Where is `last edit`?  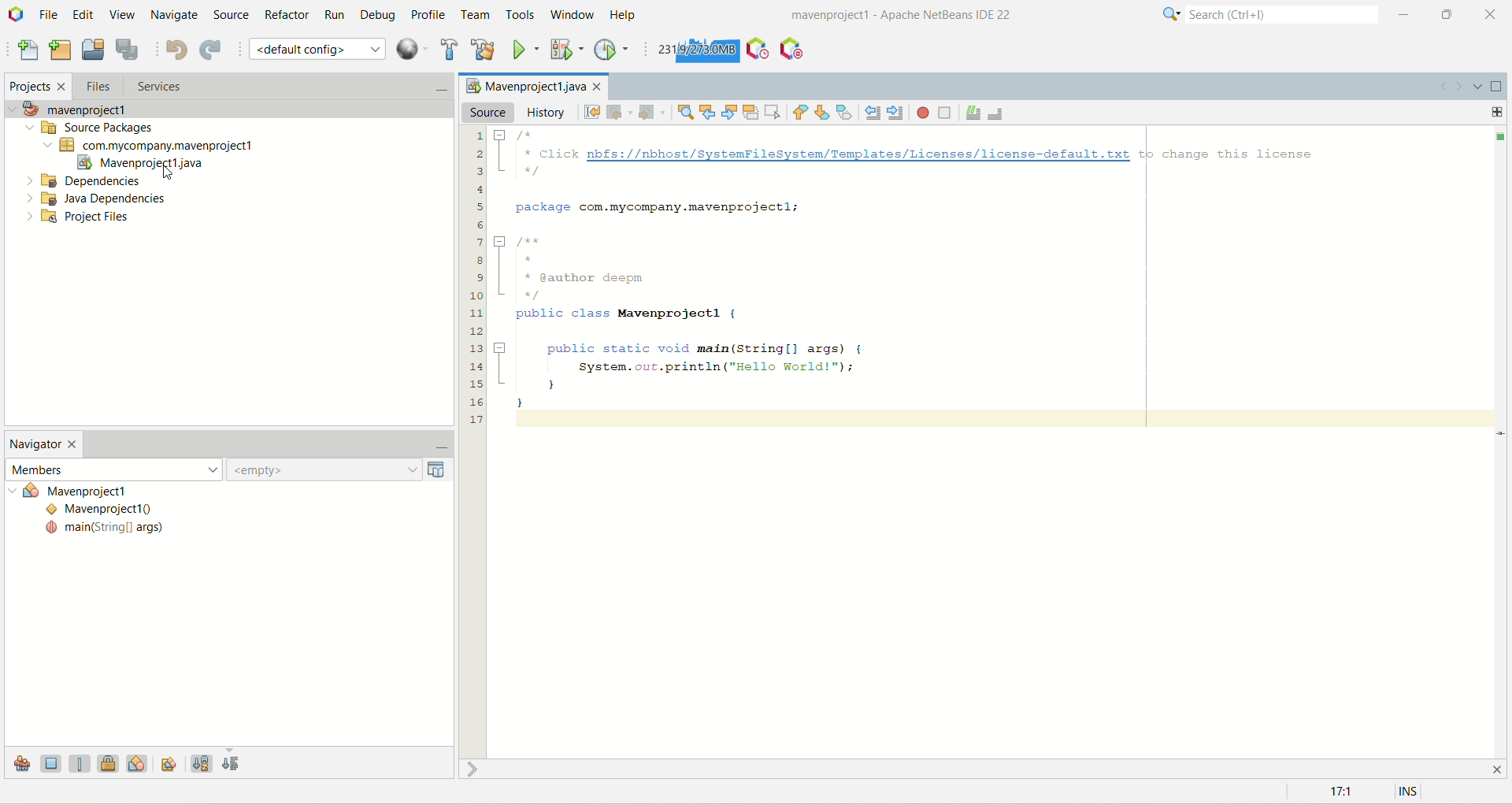
last edit is located at coordinates (593, 113).